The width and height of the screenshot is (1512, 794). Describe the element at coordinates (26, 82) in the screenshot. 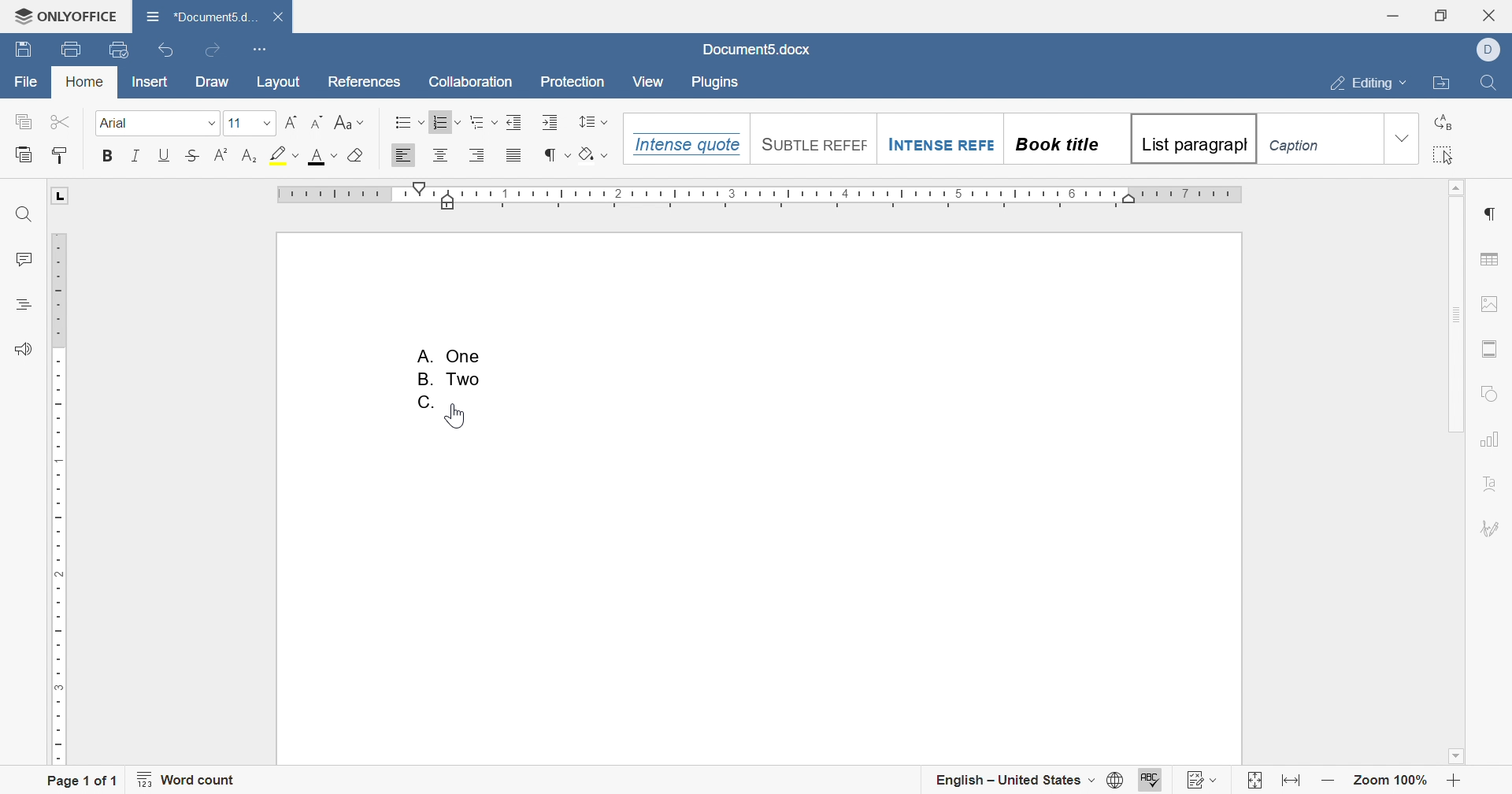

I see `file` at that location.